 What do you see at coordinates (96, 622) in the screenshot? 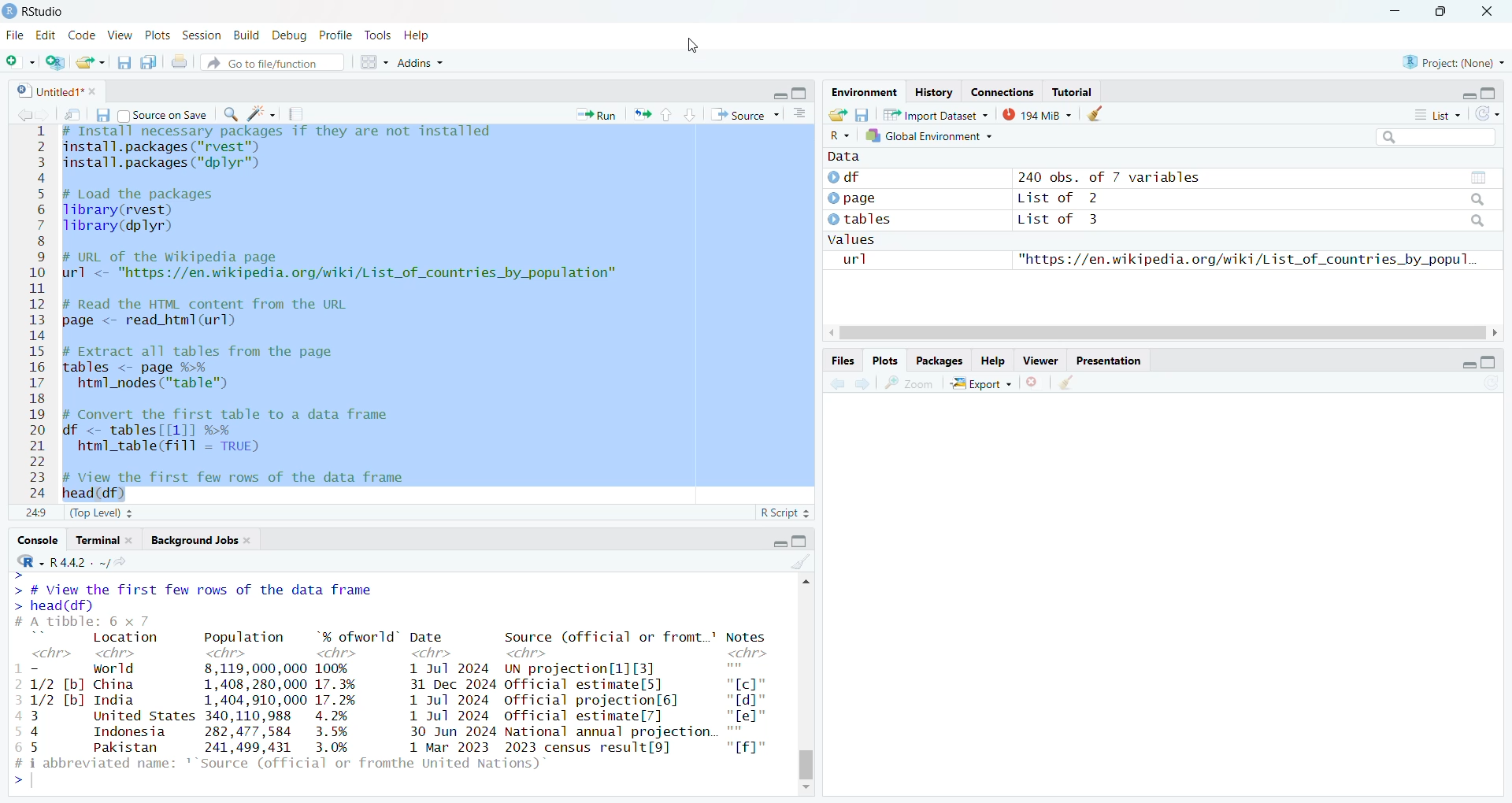
I see `# A tibble: 6 x 7` at bounding box center [96, 622].